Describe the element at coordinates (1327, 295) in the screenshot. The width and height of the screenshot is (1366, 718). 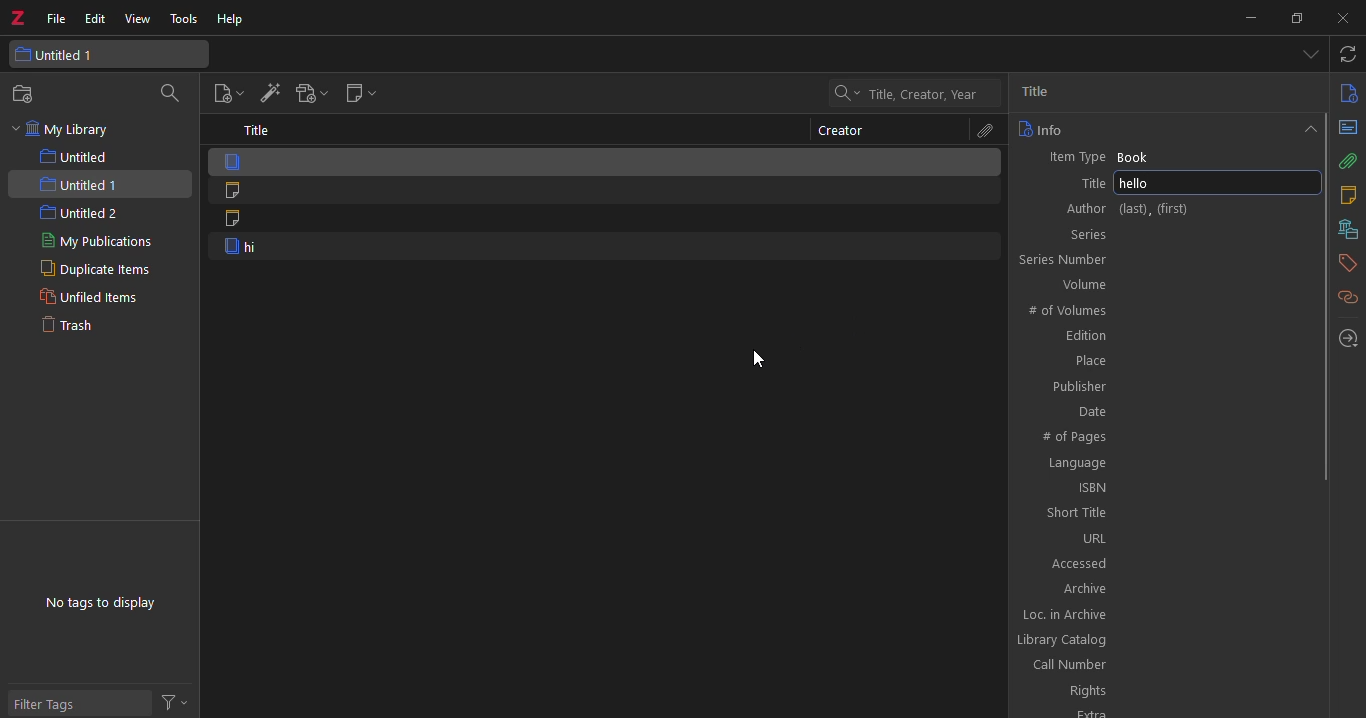
I see `scroll bar` at that location.